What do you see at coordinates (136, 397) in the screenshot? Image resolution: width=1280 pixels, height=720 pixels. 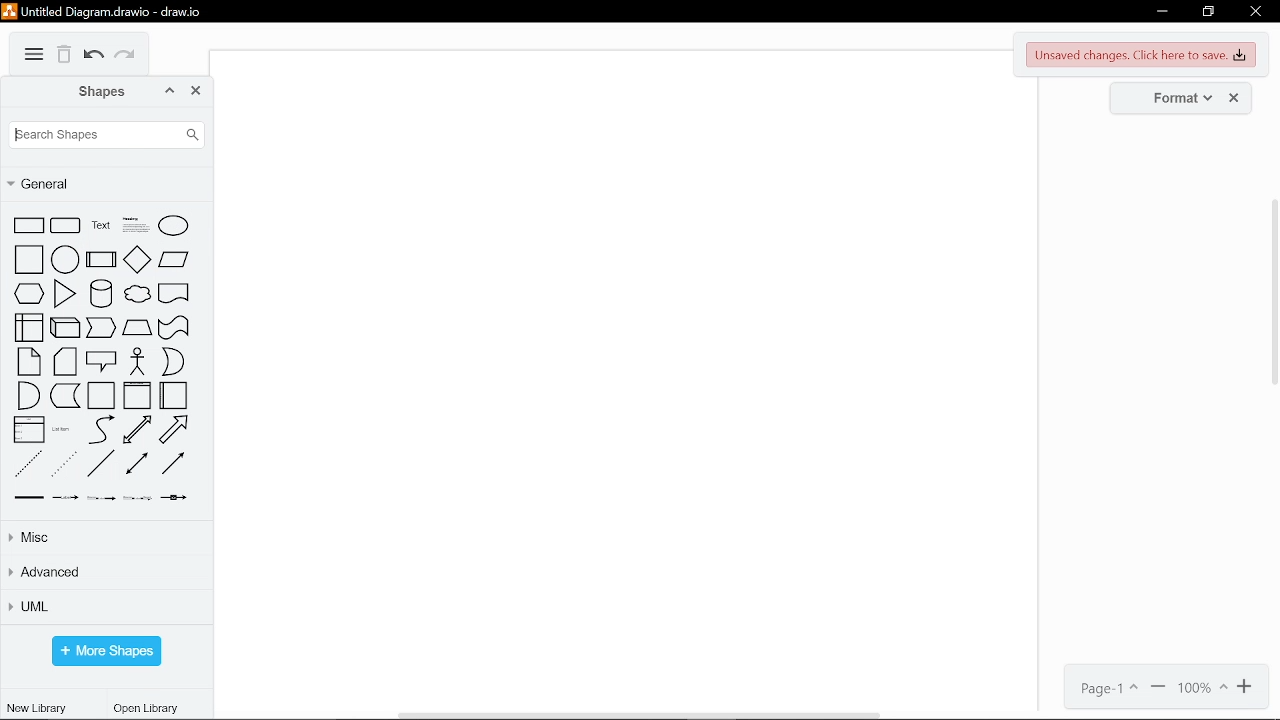 I see `vertical container` at bounding box center [136, 397].